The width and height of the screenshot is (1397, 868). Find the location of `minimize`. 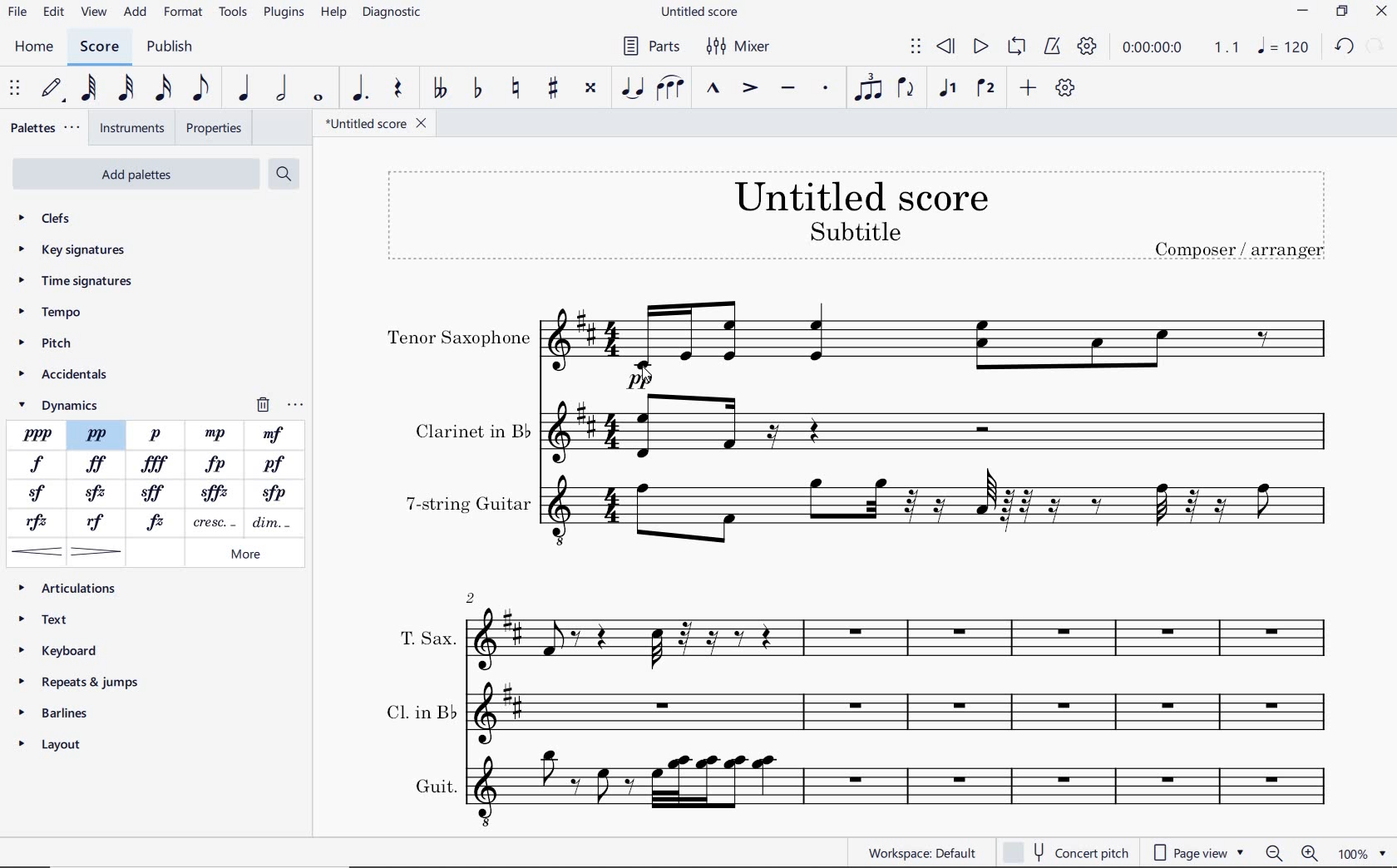

minimize is located at coordinates (1302, 11).